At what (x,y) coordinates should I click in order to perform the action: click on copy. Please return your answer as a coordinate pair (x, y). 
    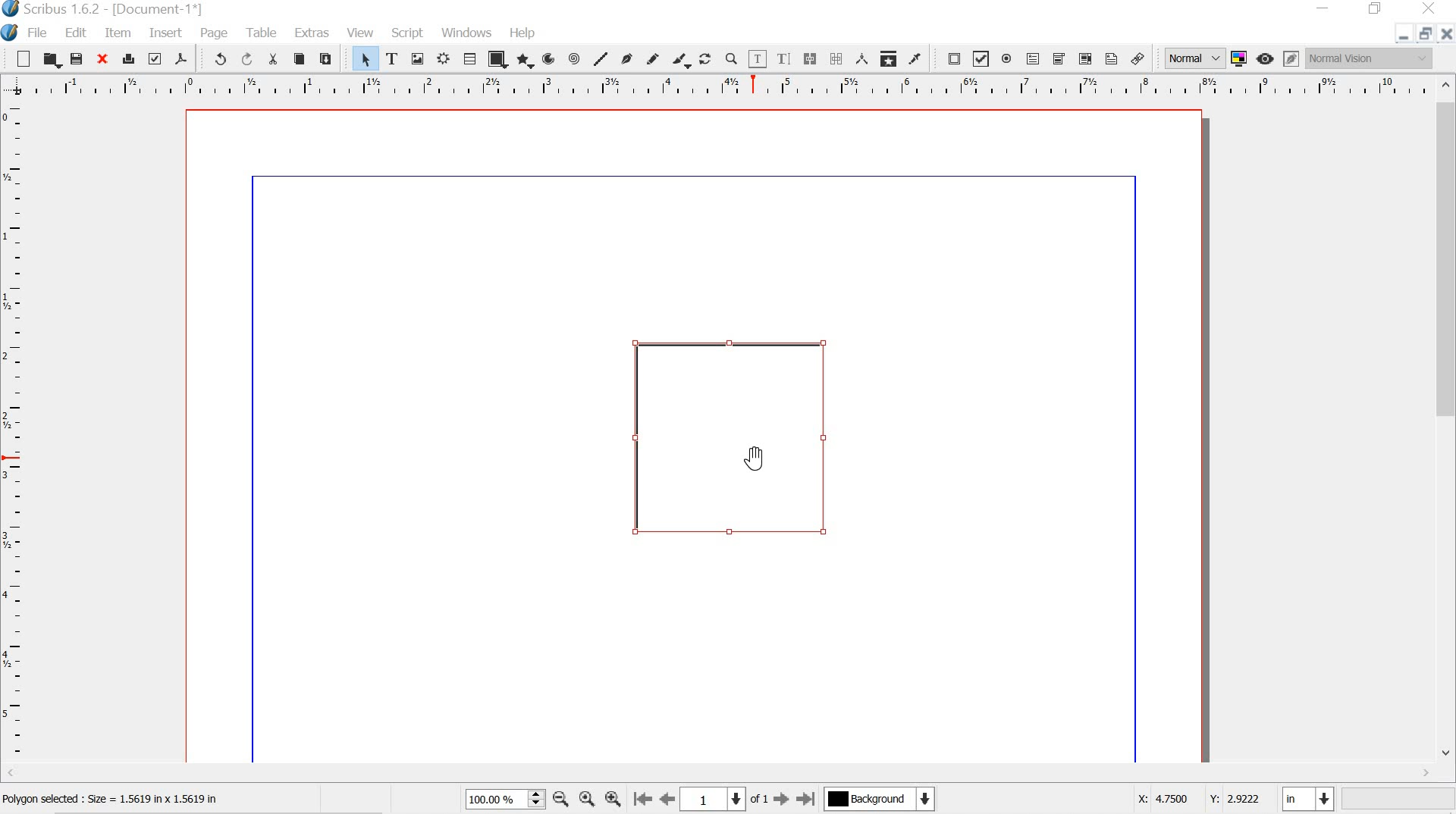
    Looking at the image, I should click on (299, 58).